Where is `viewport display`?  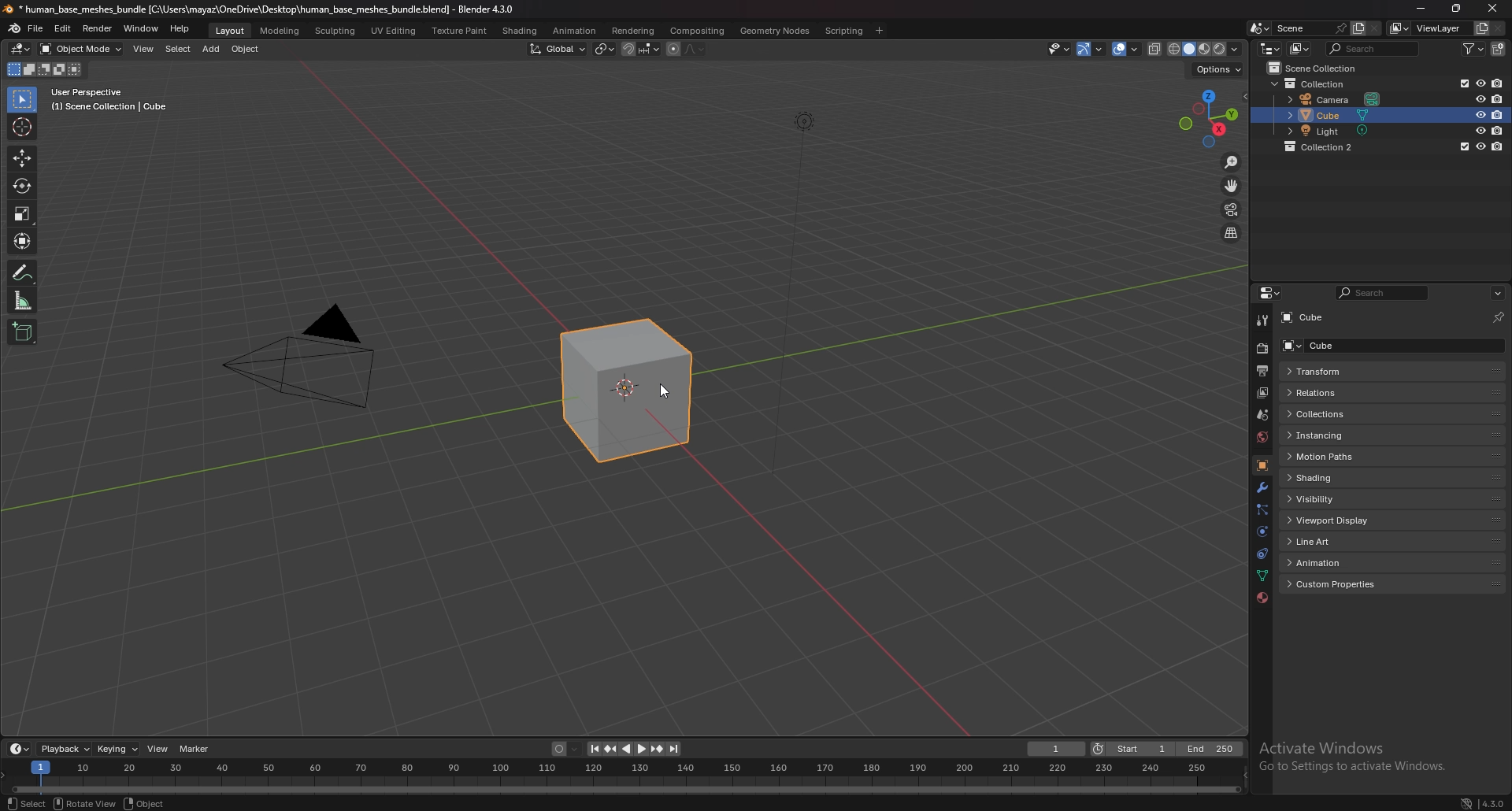
viewport display is located at coordinates (1343, 520).